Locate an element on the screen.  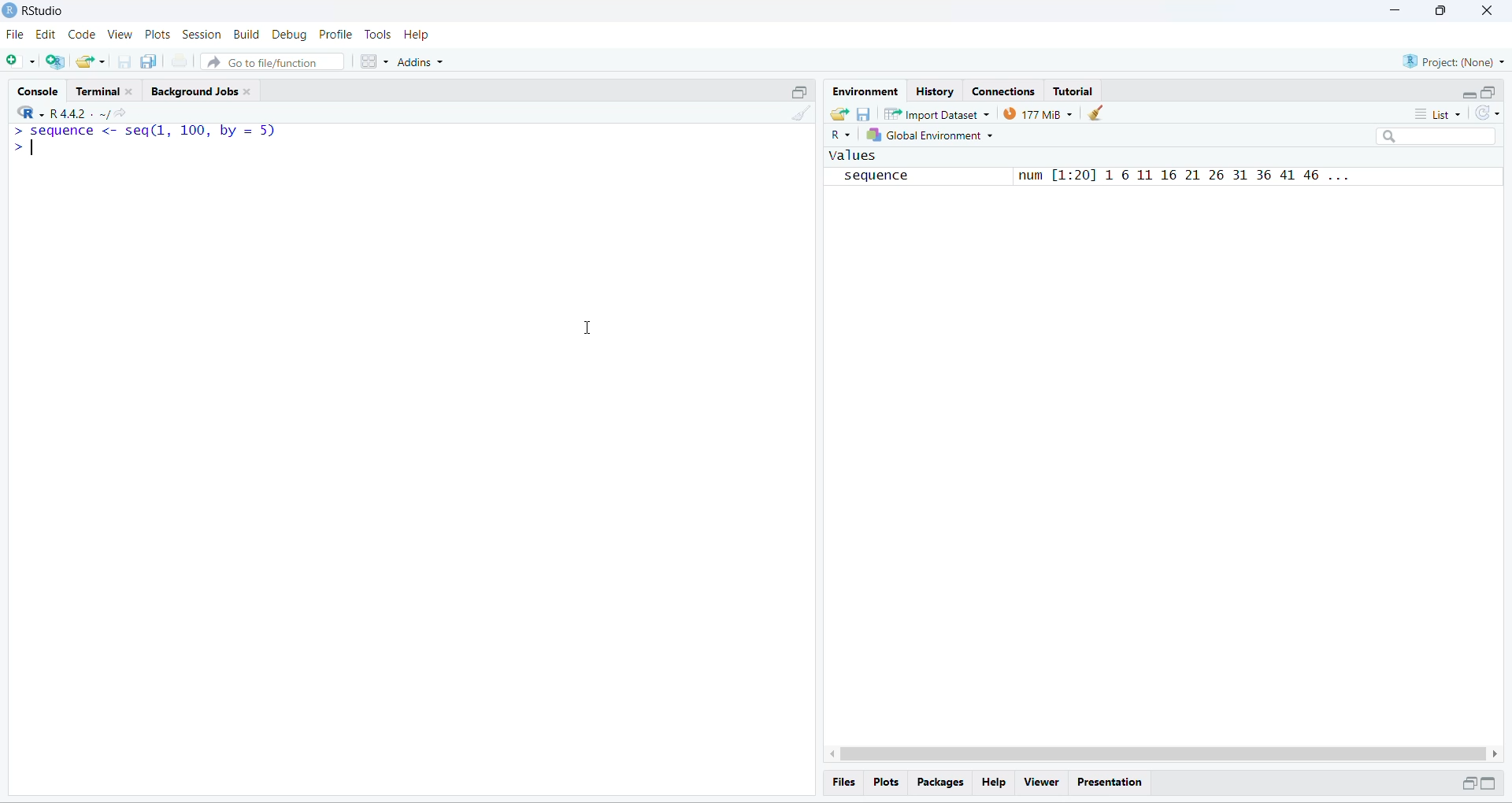
Presentation  is located at coordinates (1110, 783).